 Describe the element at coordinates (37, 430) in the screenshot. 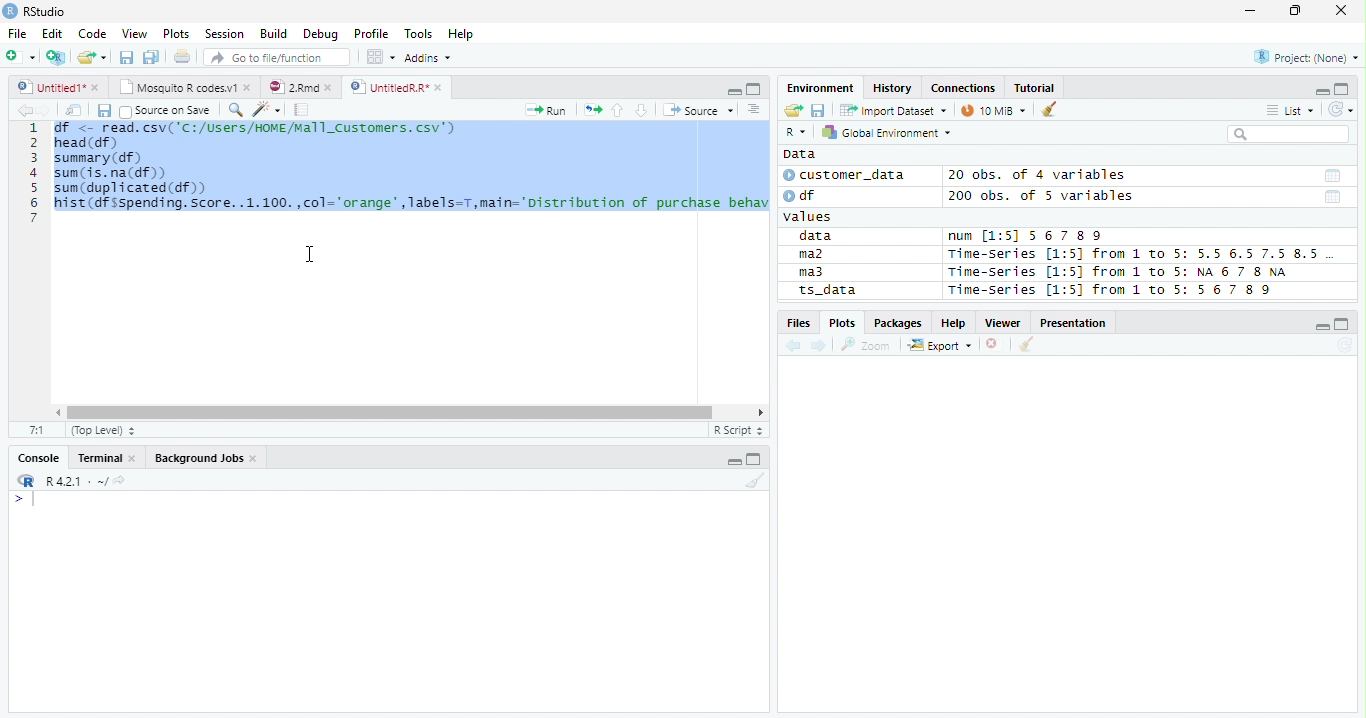

I see `1:1` at that location.